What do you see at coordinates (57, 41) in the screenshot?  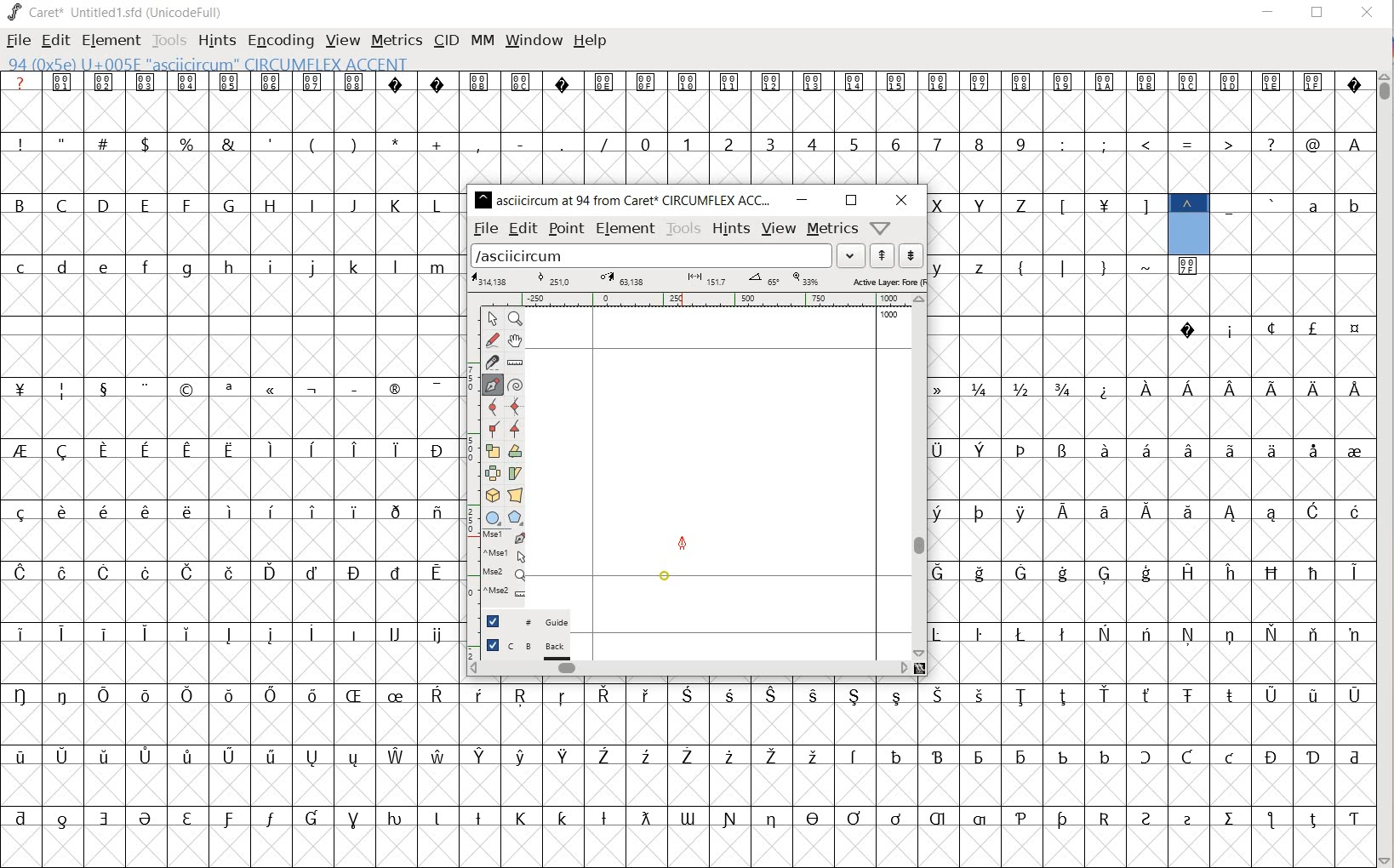 I see `EDIT` at bounding box center [57, 41].